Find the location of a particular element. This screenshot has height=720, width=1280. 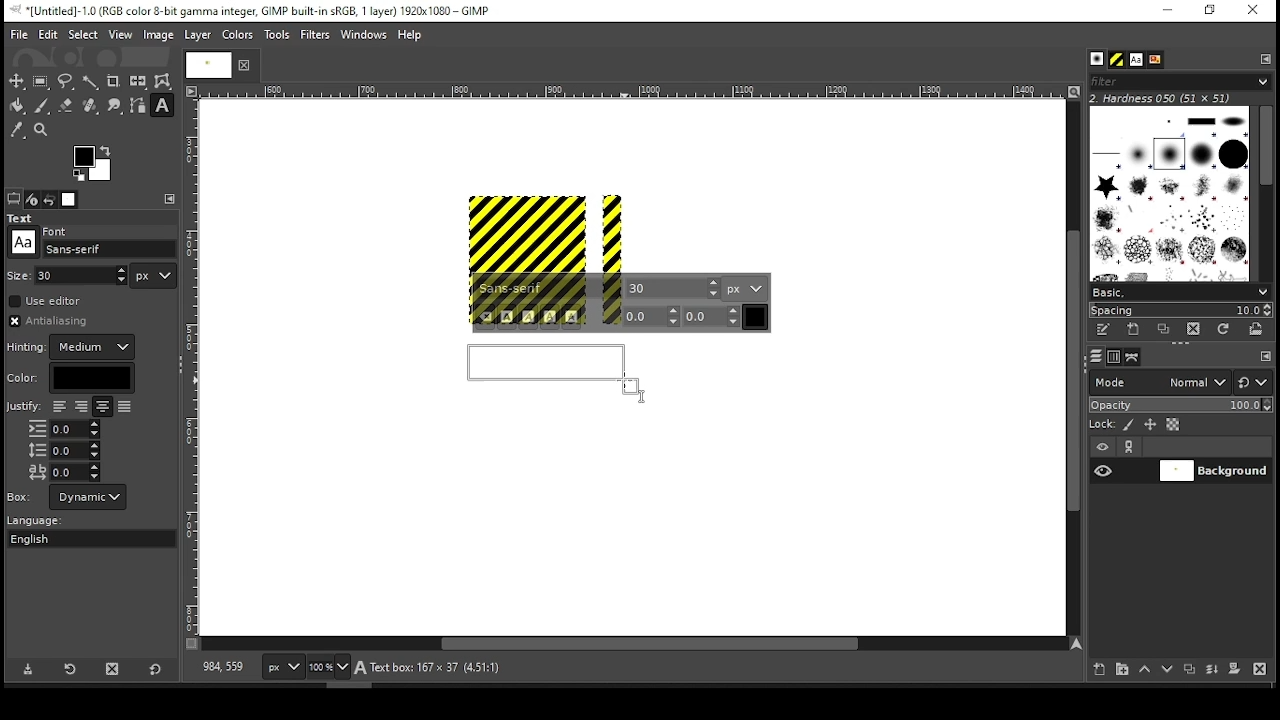

free selection tool is located at coordinates (68, 82).